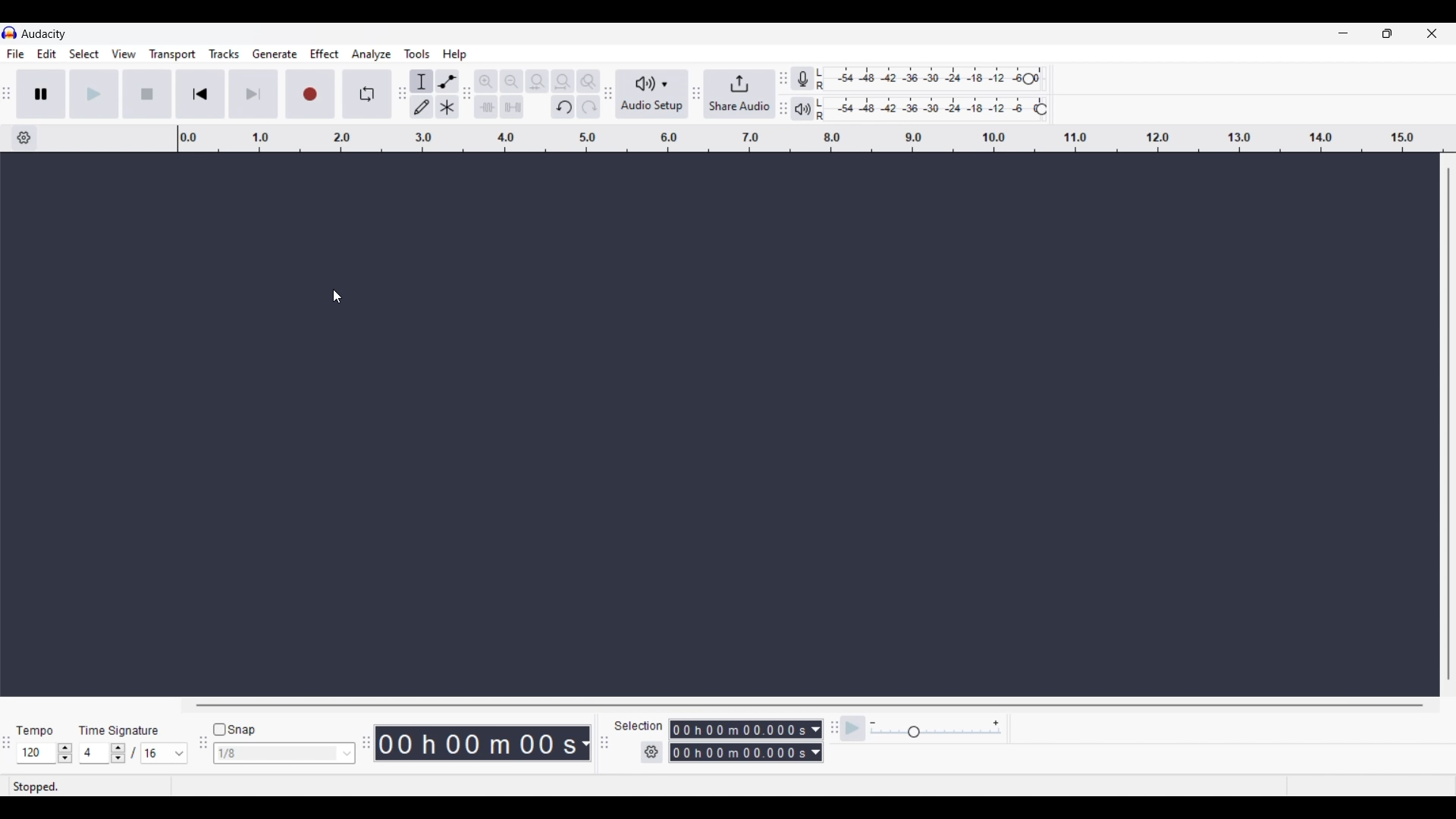 The width and height of the screenshot is (1456, 819). What do you see at coordinates (15, 54) in the screenshot?
I see `File menu` at bounding box center [15, 54].